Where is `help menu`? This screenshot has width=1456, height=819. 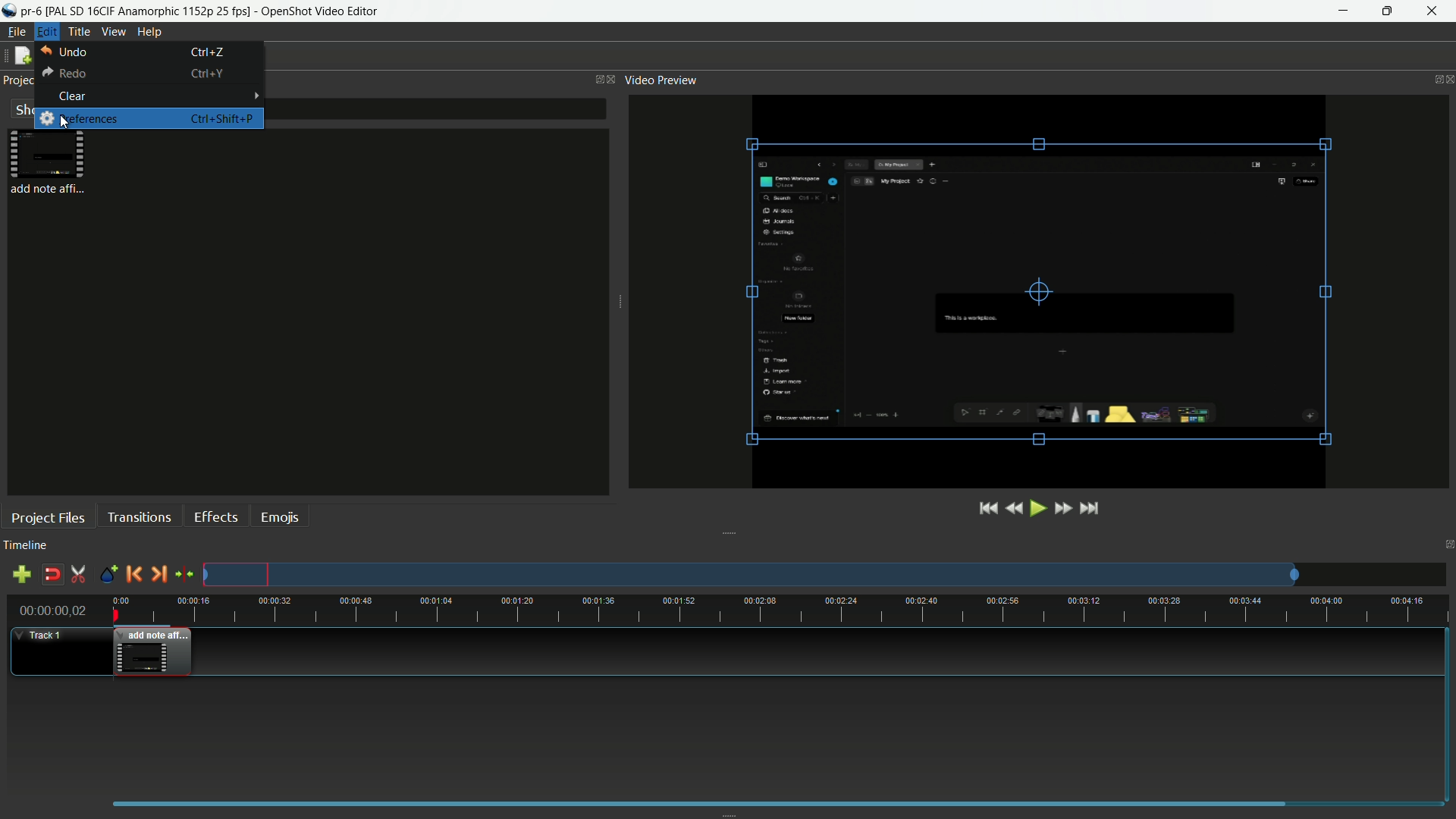 help menu is located at coordinates (149, 33).